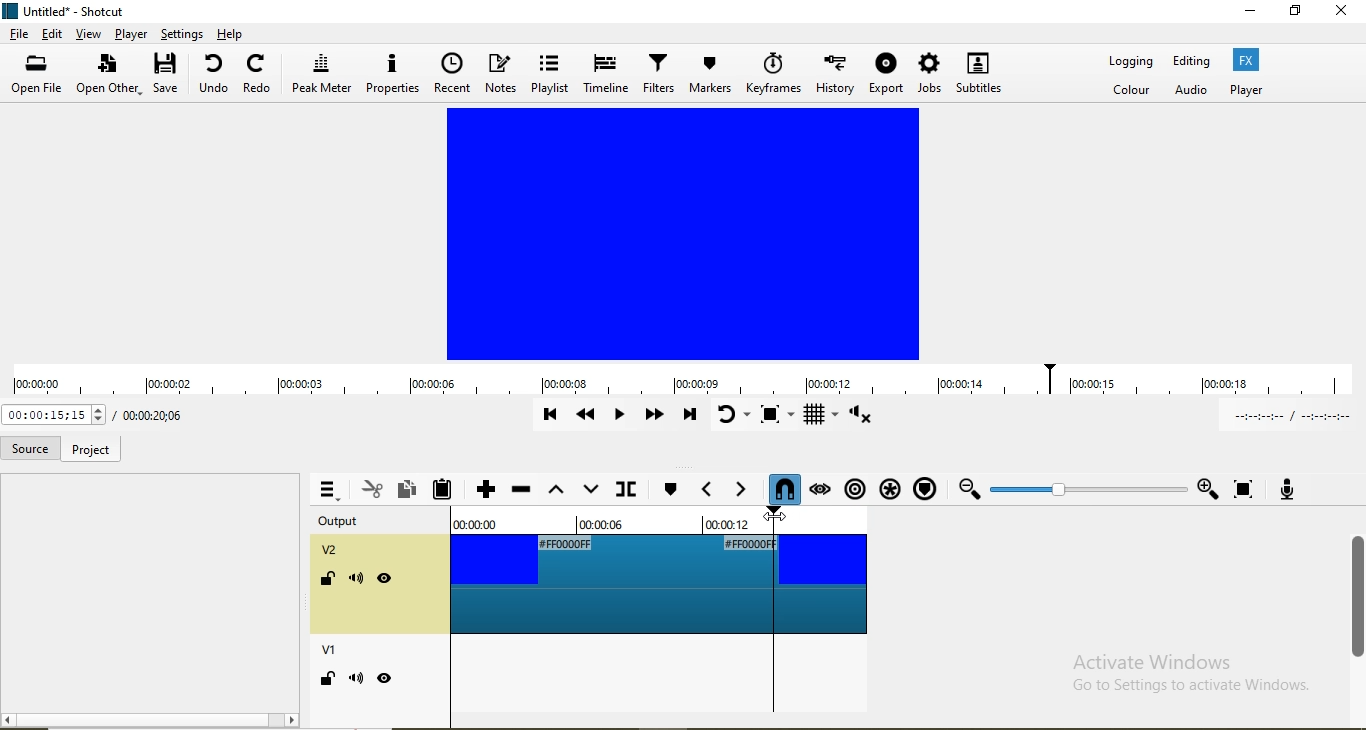 The width and height of the screenshot is (1366, 730). Describe the element at coordinates (327, 490) in the screenshot. I see `Timeline menu` at that location.